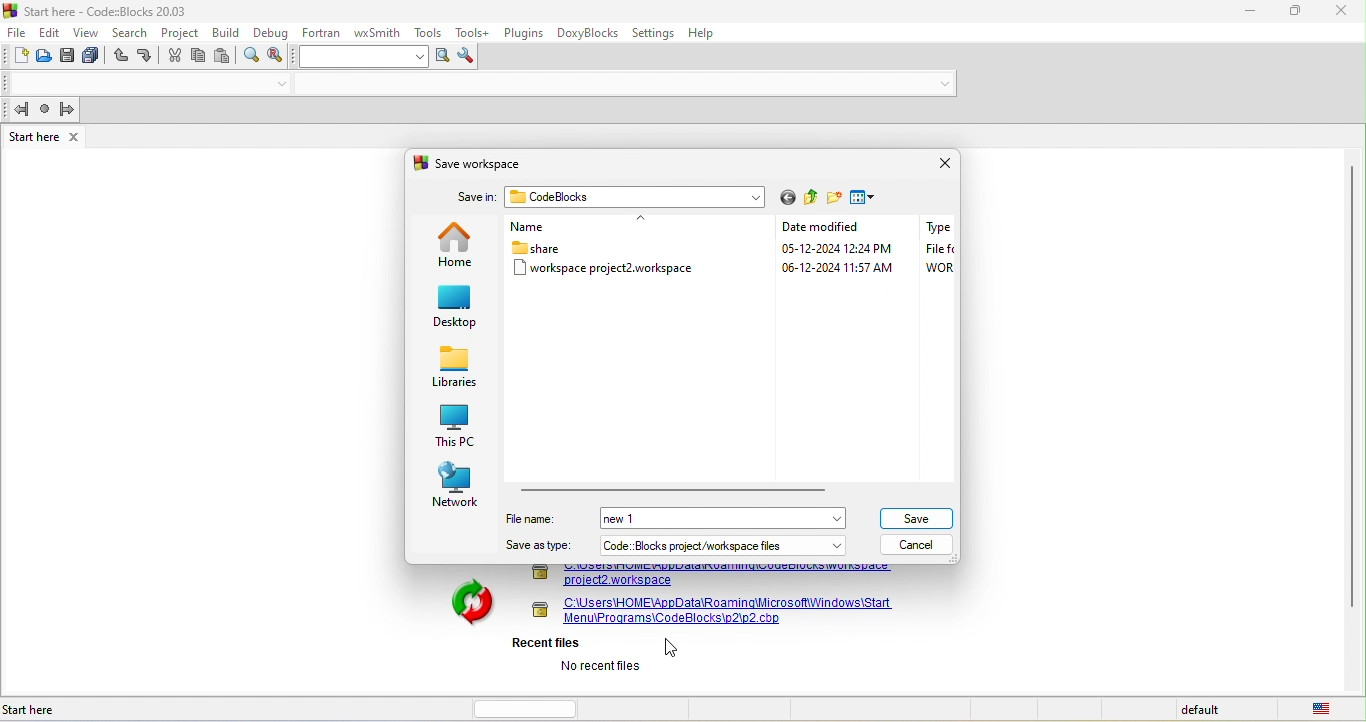 Image resolution: width=1366 pixels, height=722 pixels. Describe the element at coordinates (46, 59) in the screenshot. I see `open` at that location.